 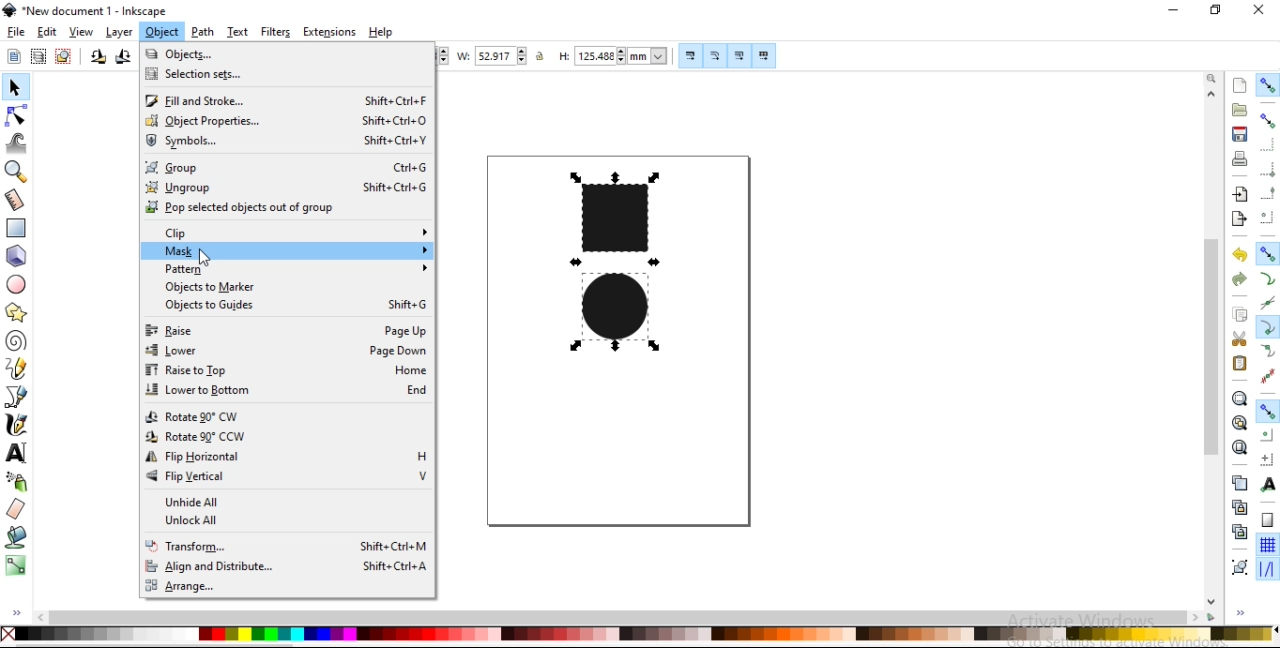 I want to click on snap to edges of bounding box, so click(x=1268, y=146).